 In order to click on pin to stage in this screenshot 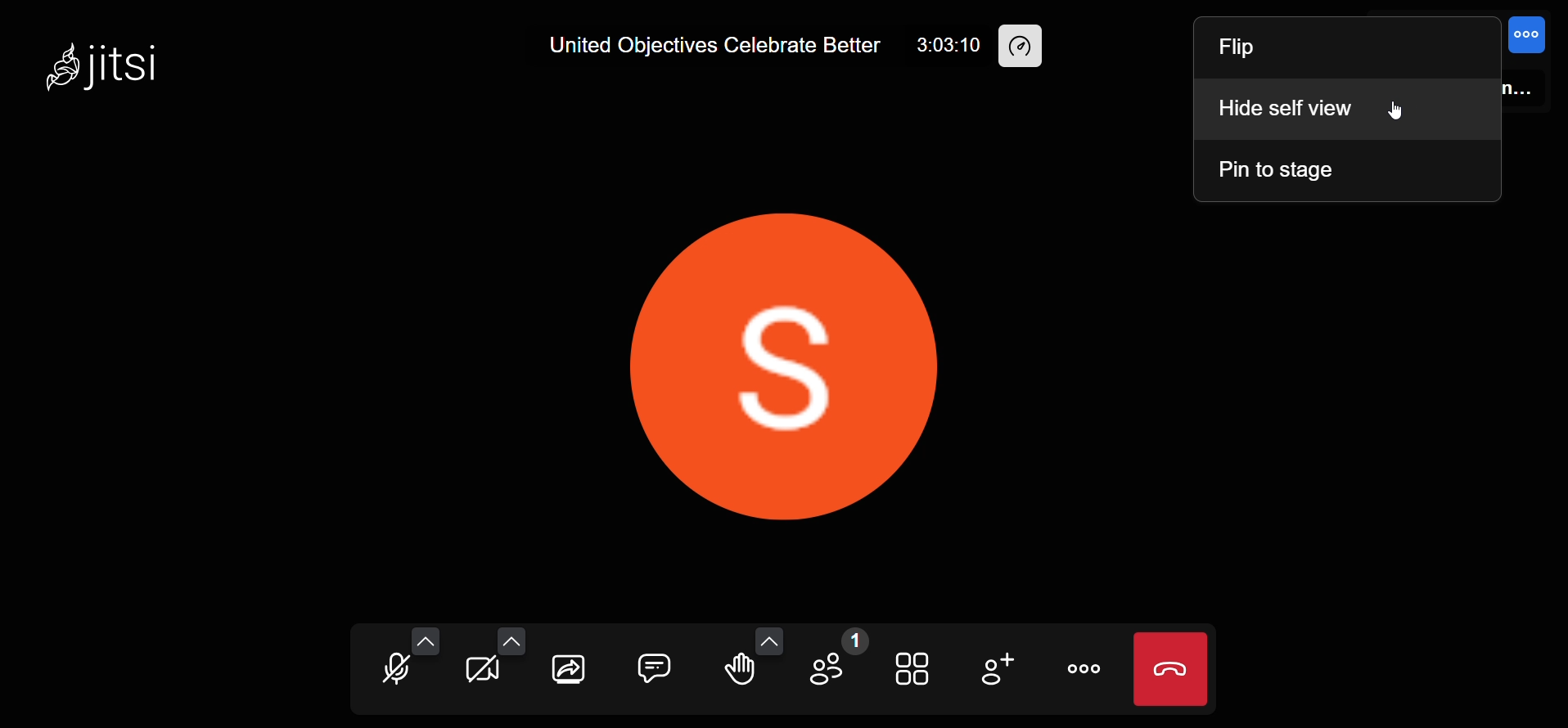, I will do `click(1279, 170)`.